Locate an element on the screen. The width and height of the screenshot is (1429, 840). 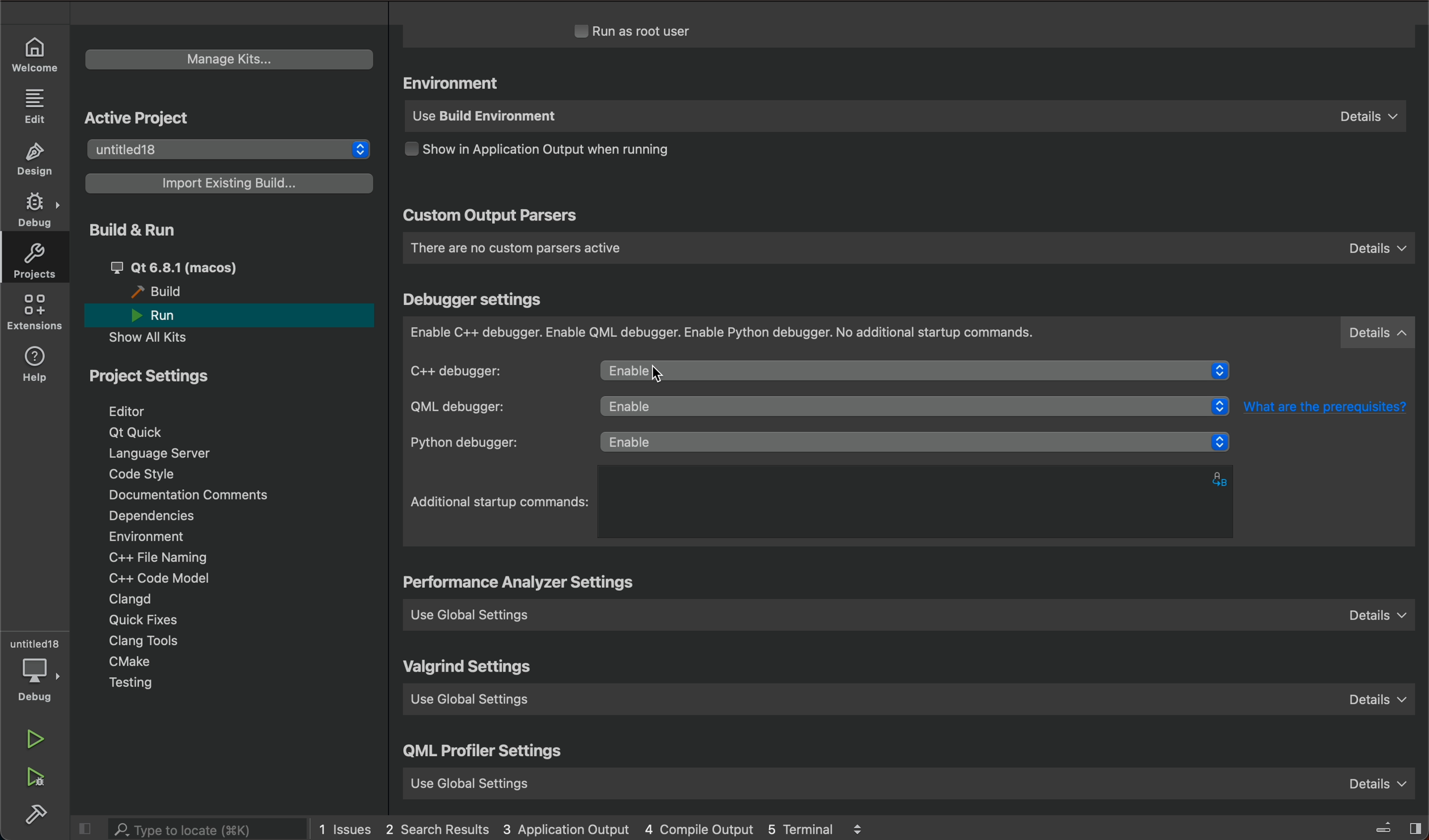
valgrind is located at coordinates (470, 668).